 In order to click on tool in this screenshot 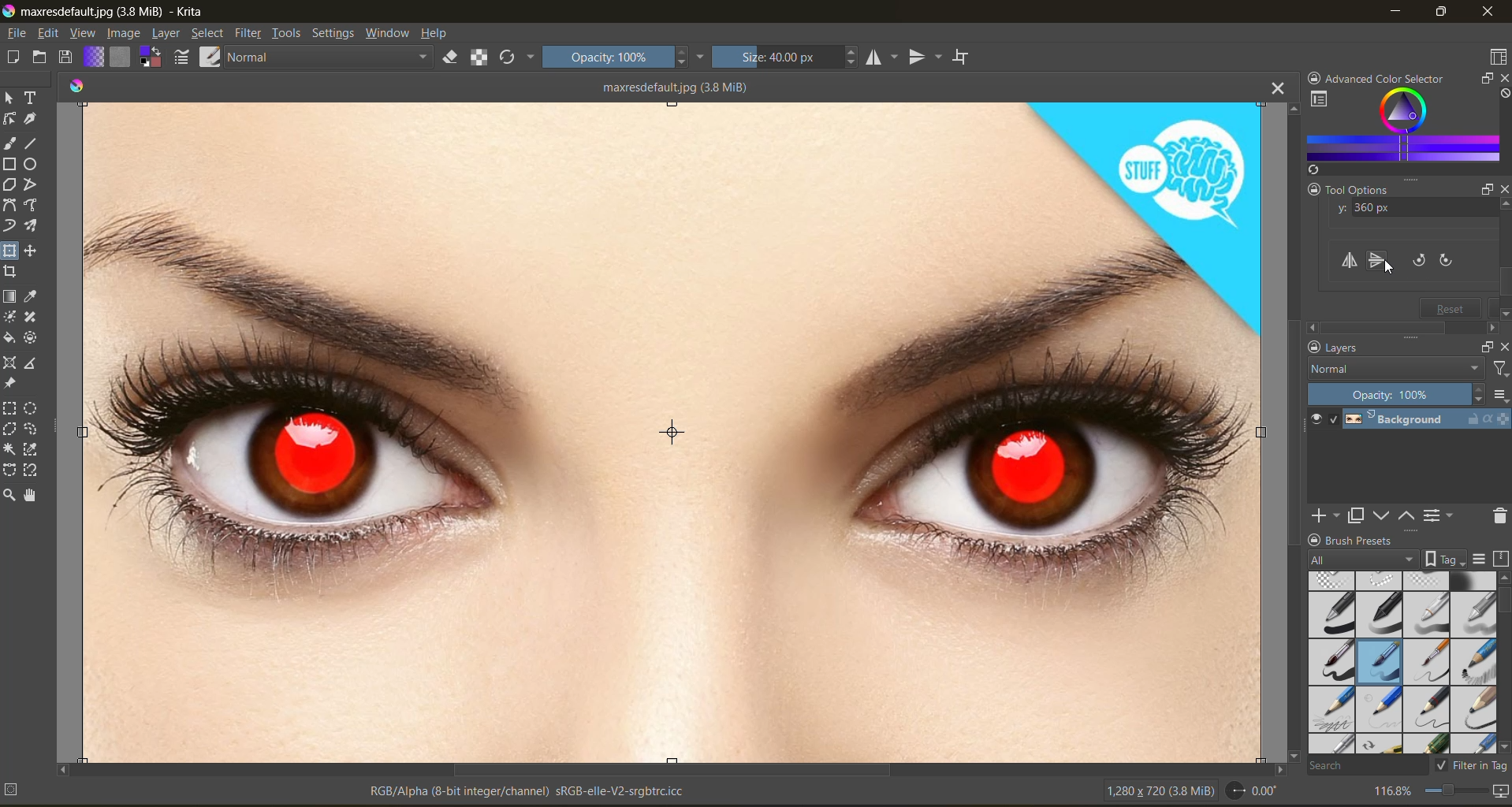, I will do `click(32, 363)`.